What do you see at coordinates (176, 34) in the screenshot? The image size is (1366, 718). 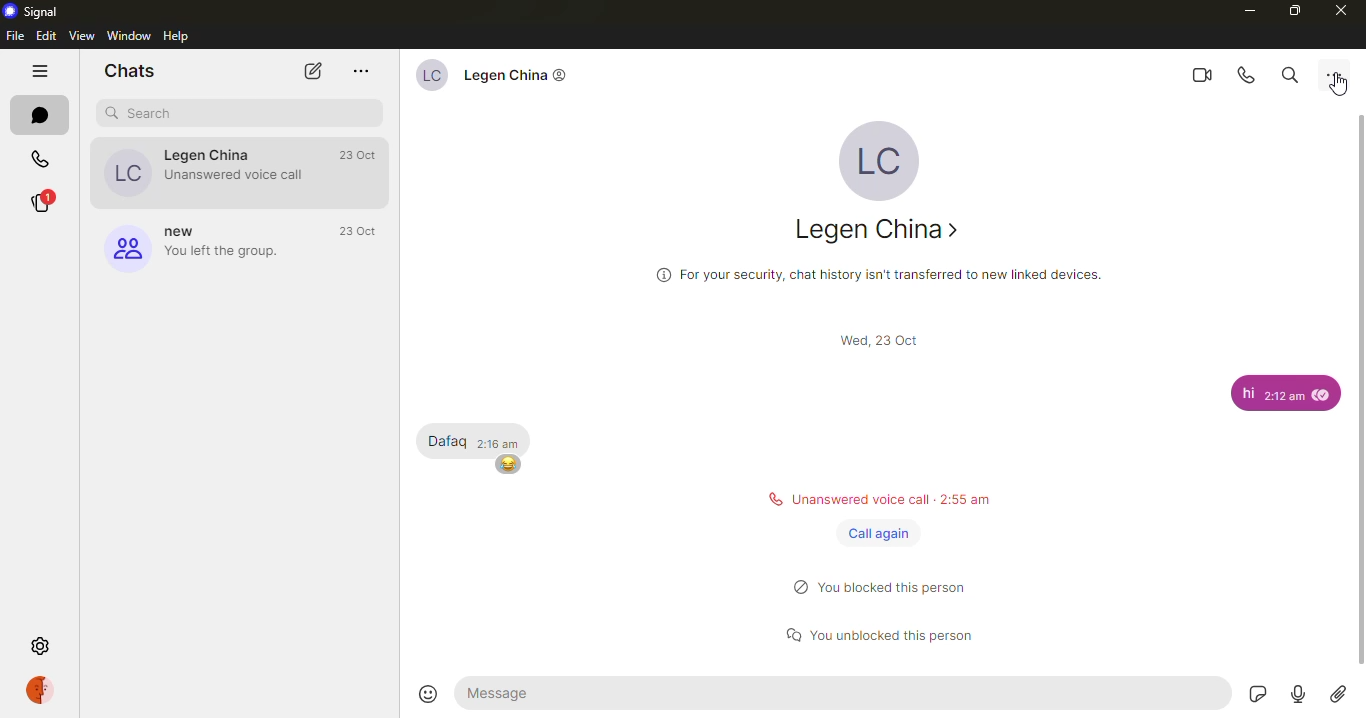 I see `help` at bounding box center [176, 34].